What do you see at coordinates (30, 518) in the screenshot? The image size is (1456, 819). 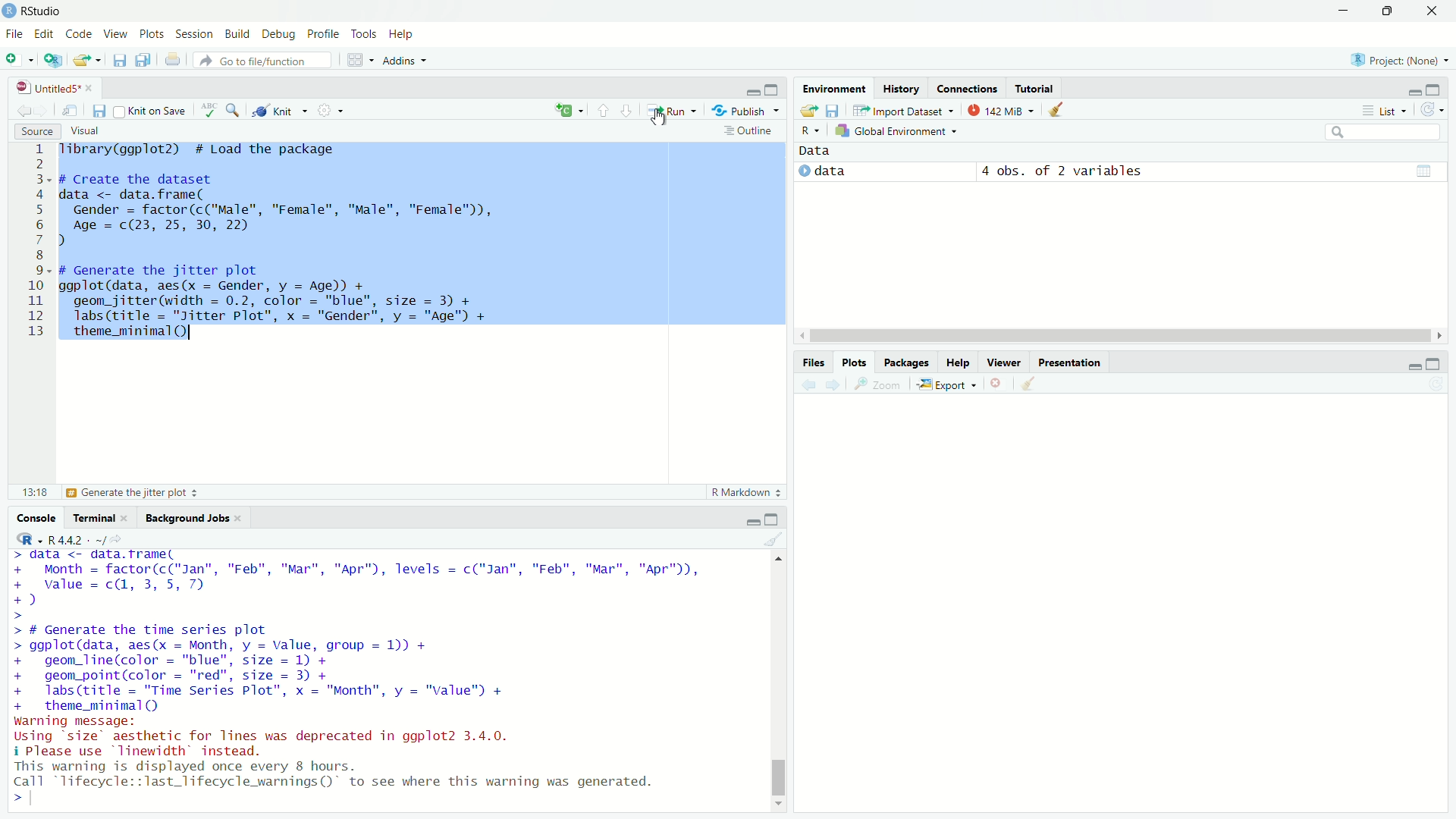 I see `console` at bounding box center [30, 518].